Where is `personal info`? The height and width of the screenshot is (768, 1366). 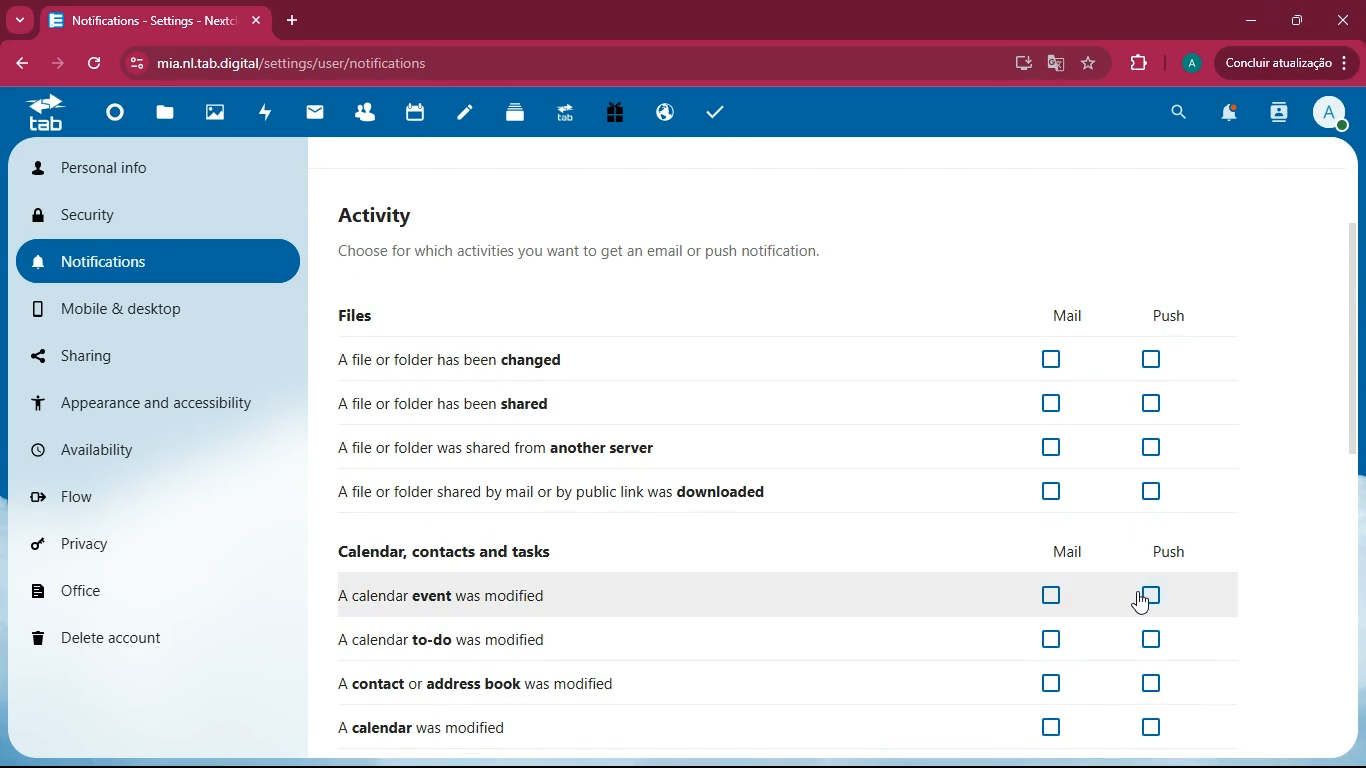 personal info is located at coordinates (160, 167).